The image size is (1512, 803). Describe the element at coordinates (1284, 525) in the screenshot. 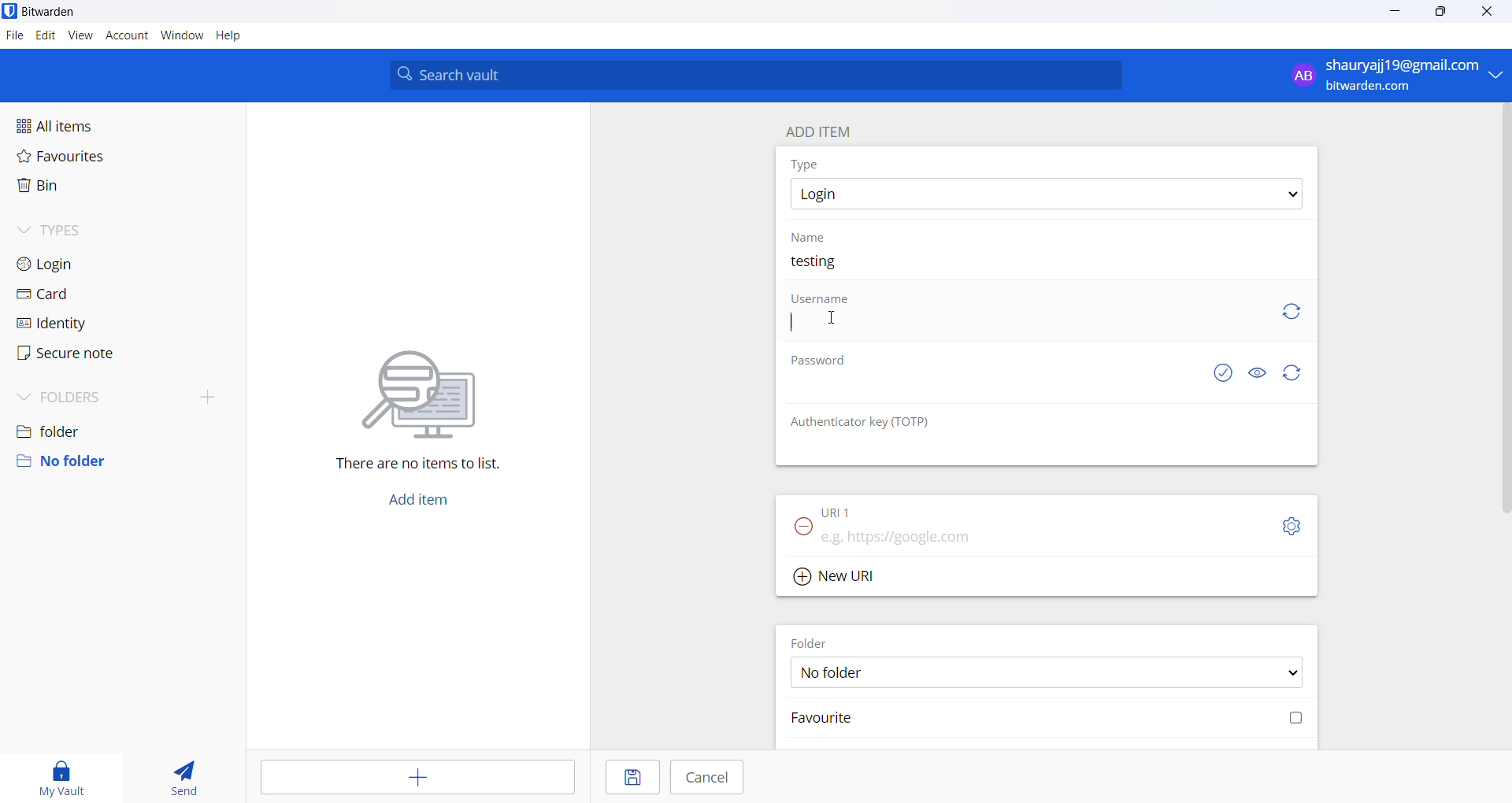

I see `URL setting` at that location.